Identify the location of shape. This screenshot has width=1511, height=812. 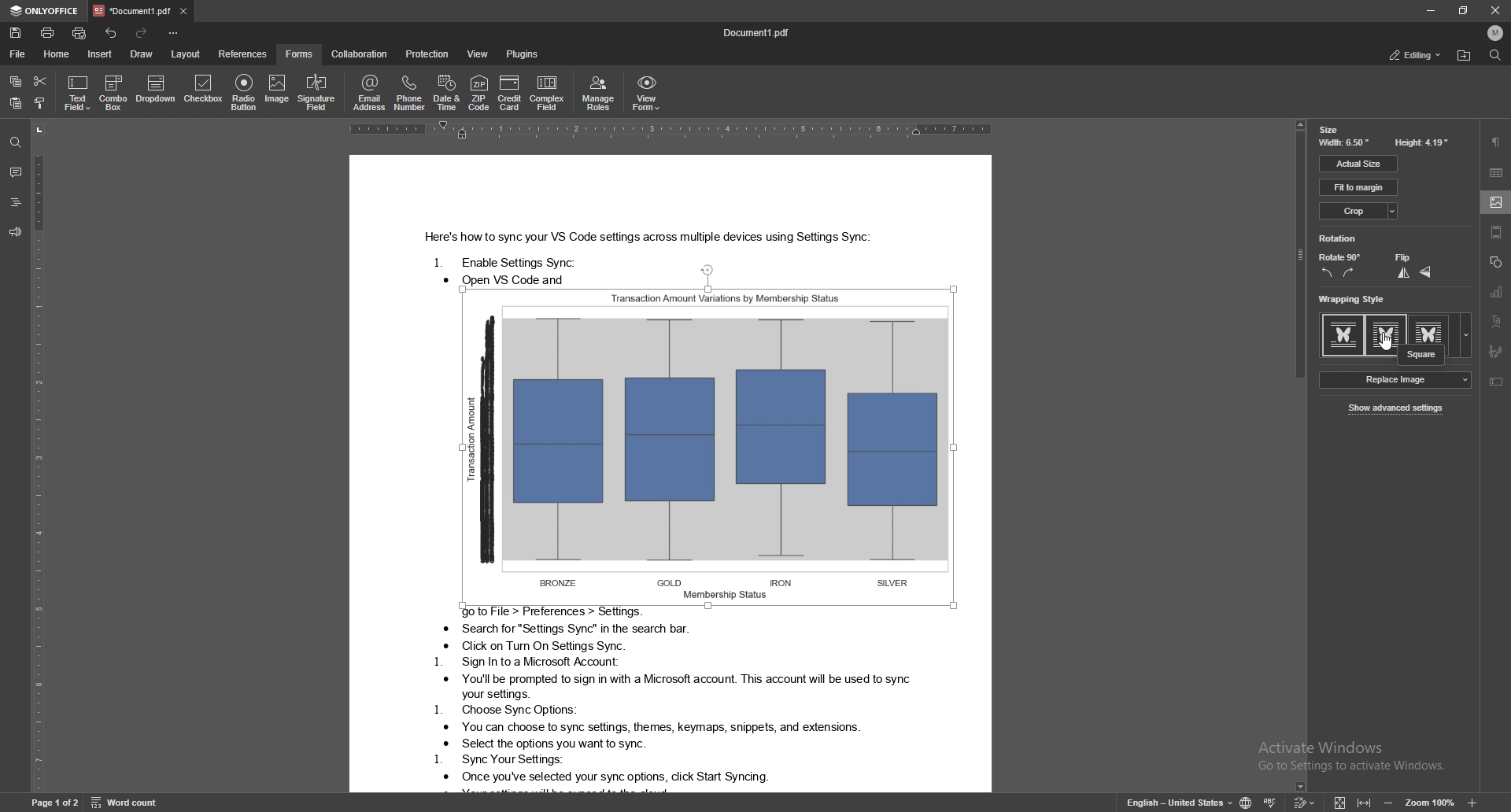
(1496, 262).